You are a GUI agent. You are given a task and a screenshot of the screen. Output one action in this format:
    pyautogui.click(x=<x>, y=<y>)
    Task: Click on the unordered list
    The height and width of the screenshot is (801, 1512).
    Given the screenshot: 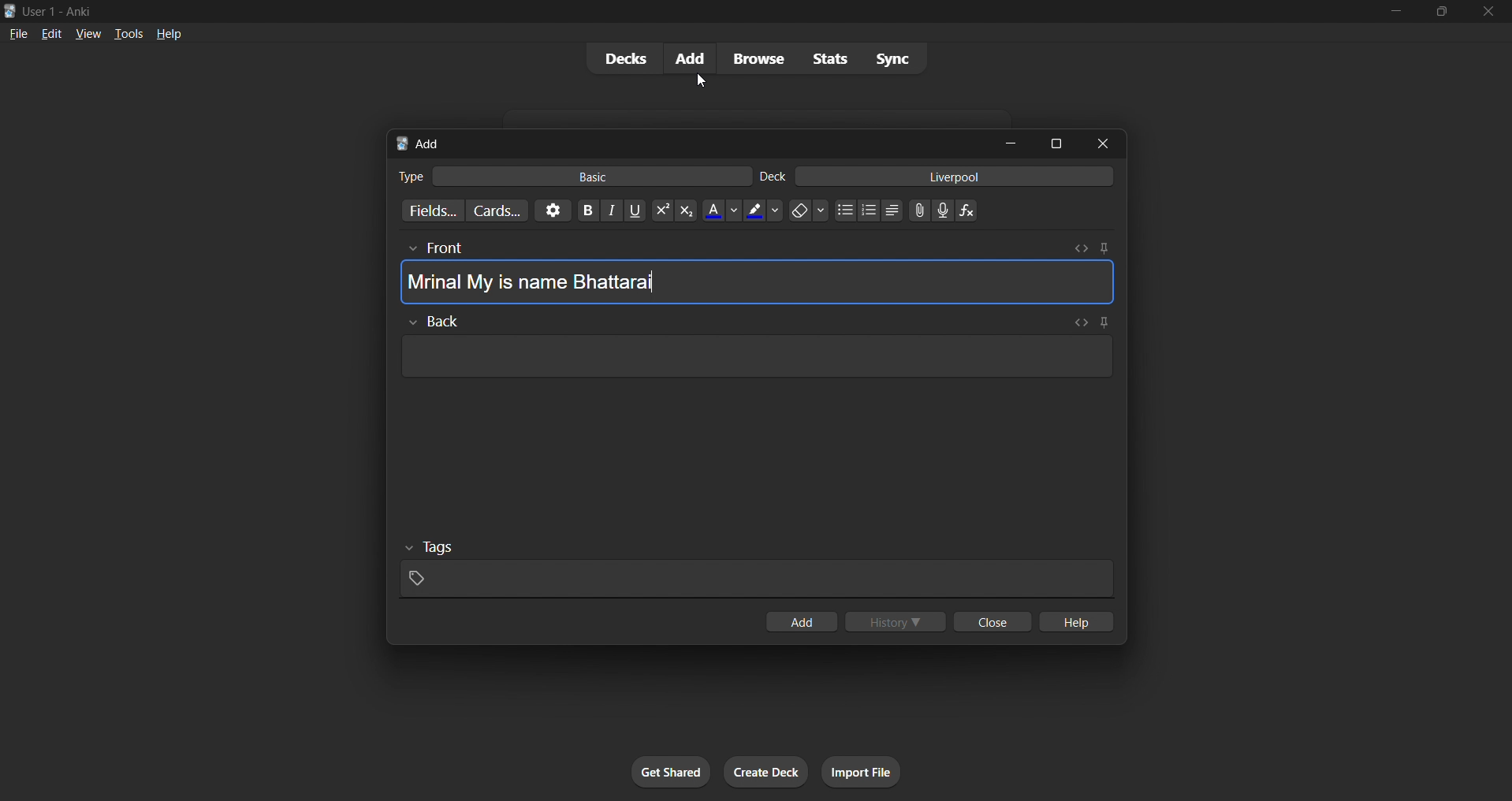 What is the action you would take?
    pyautogui.click(x=843, y=210)
    